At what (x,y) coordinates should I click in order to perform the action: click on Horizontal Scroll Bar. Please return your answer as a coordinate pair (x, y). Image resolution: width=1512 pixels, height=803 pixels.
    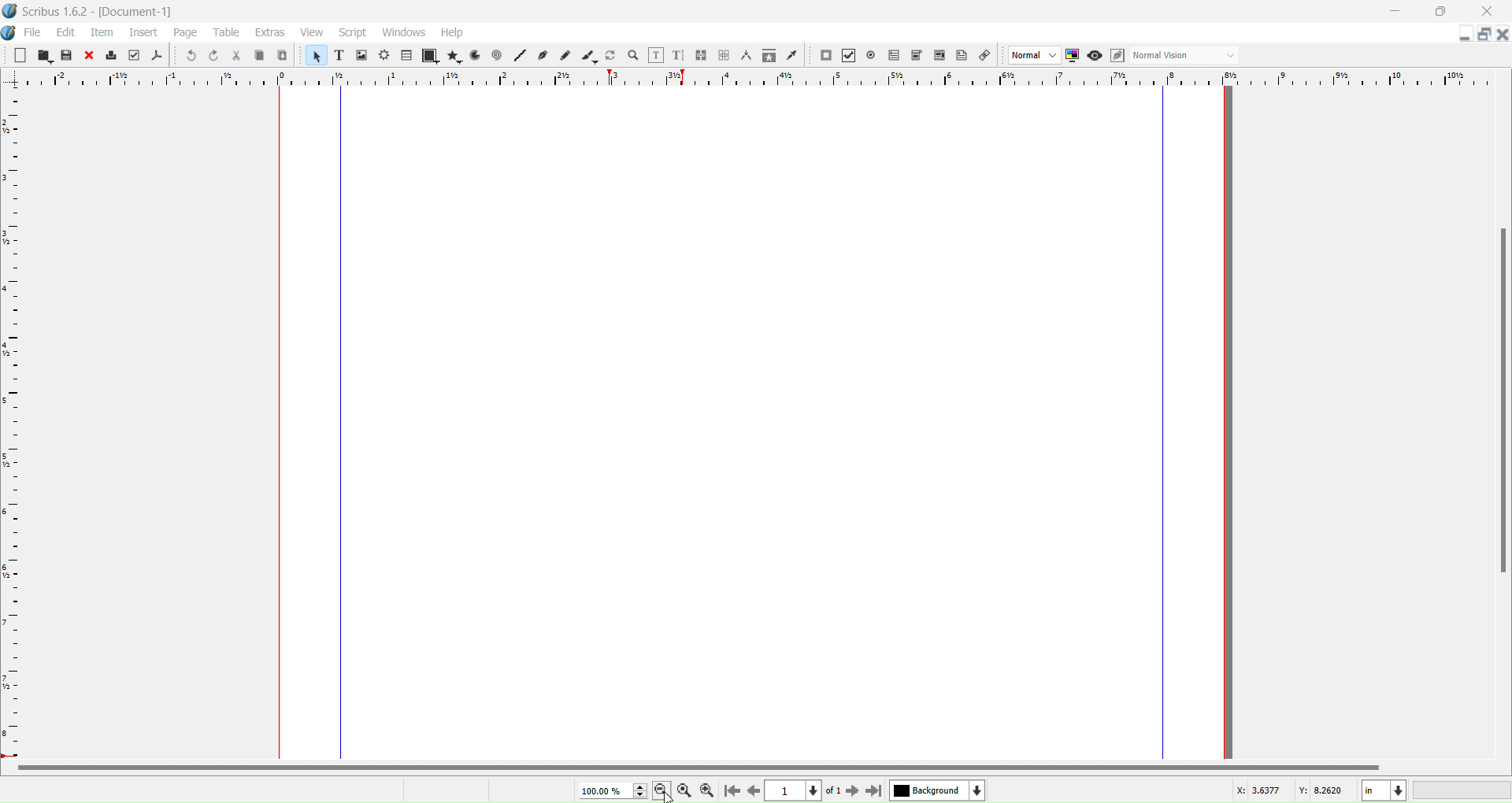
    Looking at the image, I should click on (699, 768).